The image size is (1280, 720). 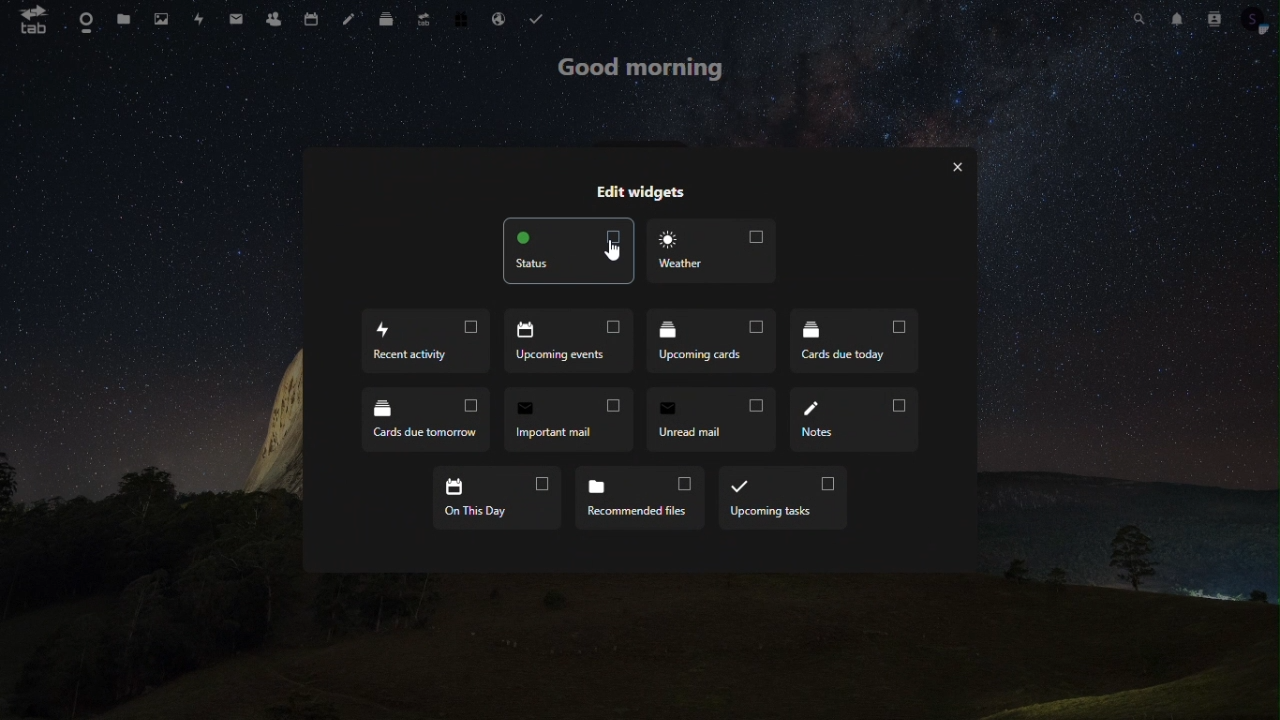 What do you see at coordinates (1176, 17) in the screenshot?
I see `notification` at bounding box center [1176, 17].